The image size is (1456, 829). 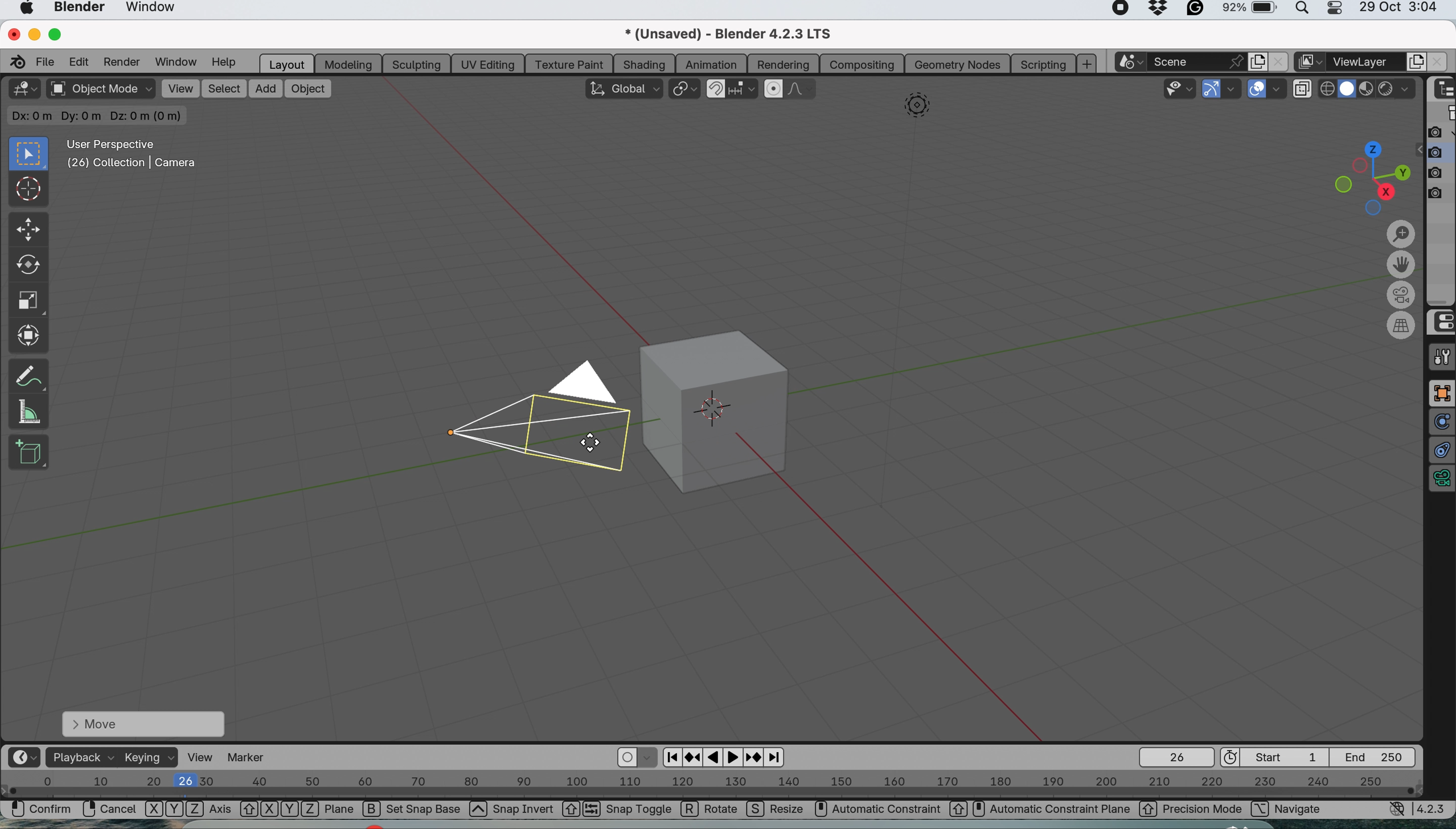 I want to click on geometry nodes, so click(x=957, y=64).